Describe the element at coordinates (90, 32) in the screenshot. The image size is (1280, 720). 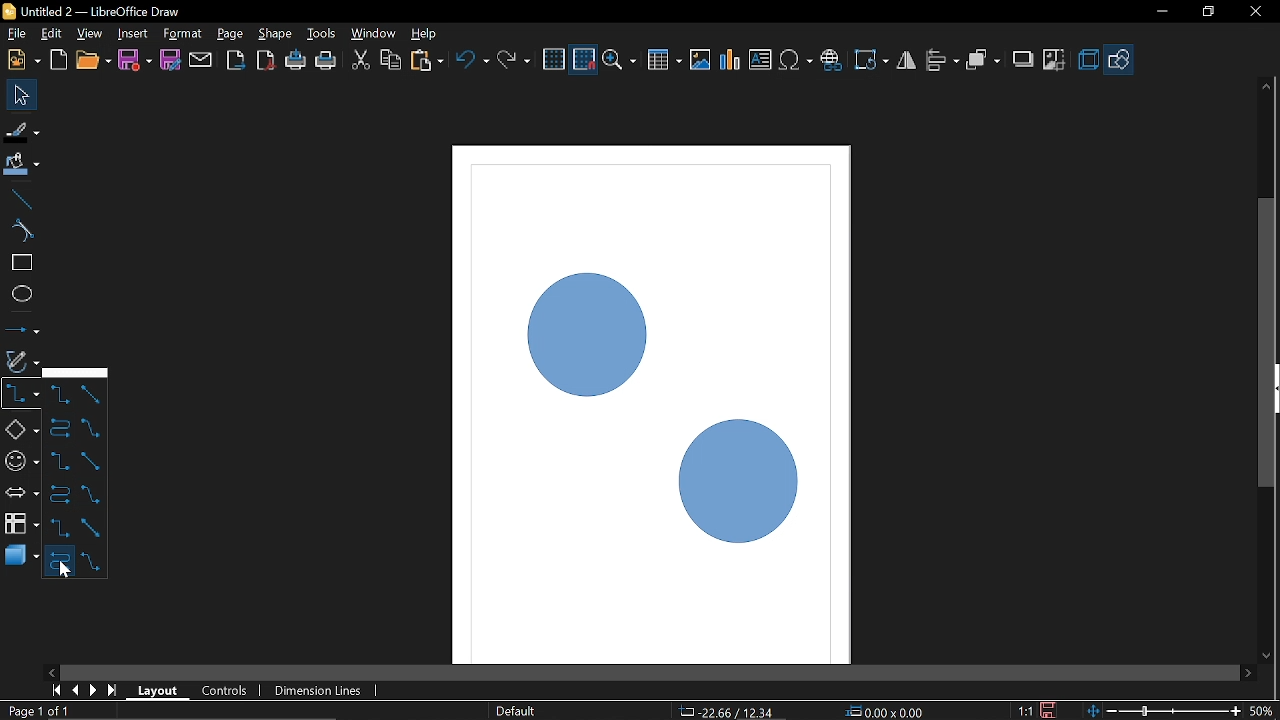
I see `View` at that location.